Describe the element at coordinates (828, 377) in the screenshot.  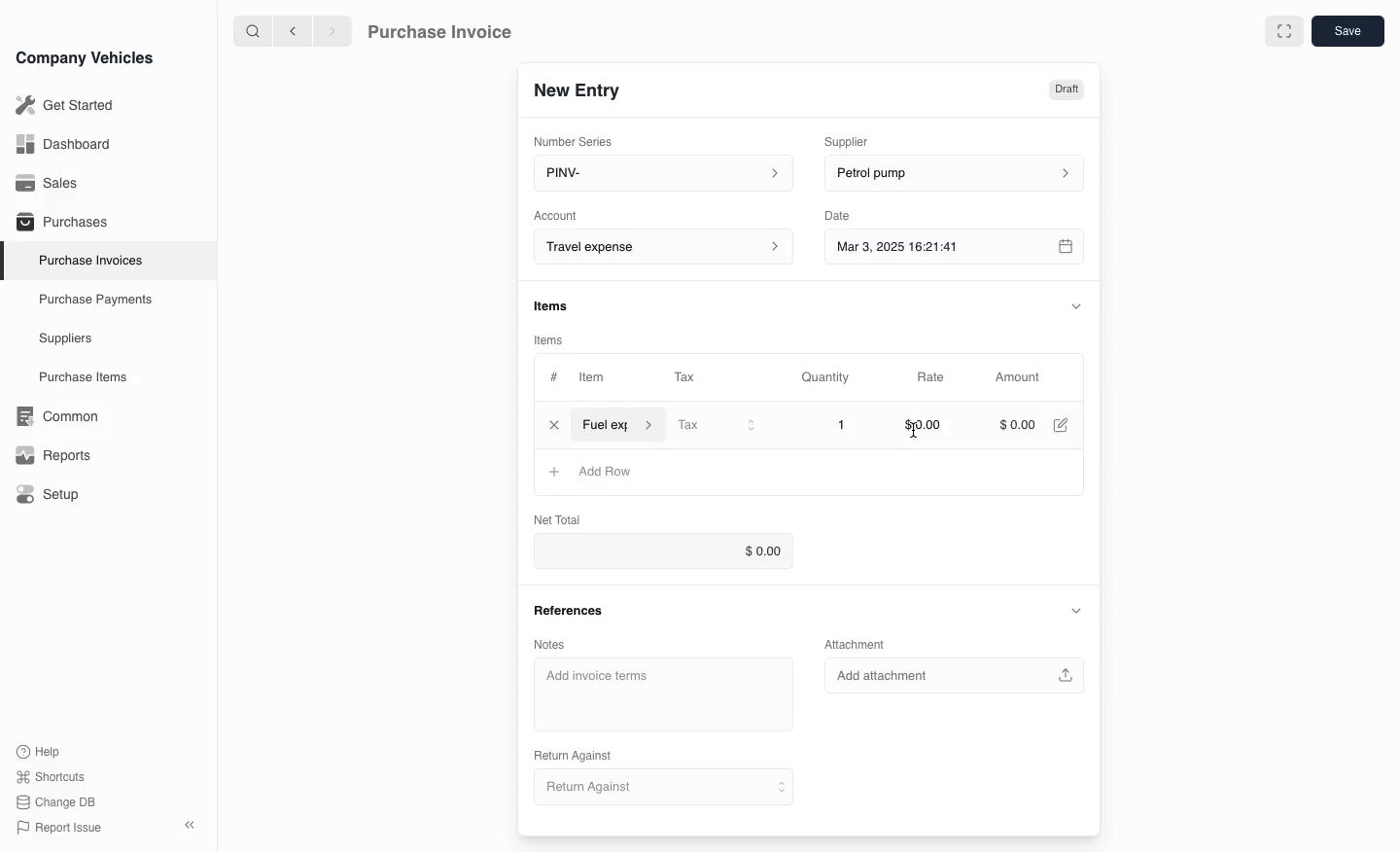
I see `Quantity` at that location.